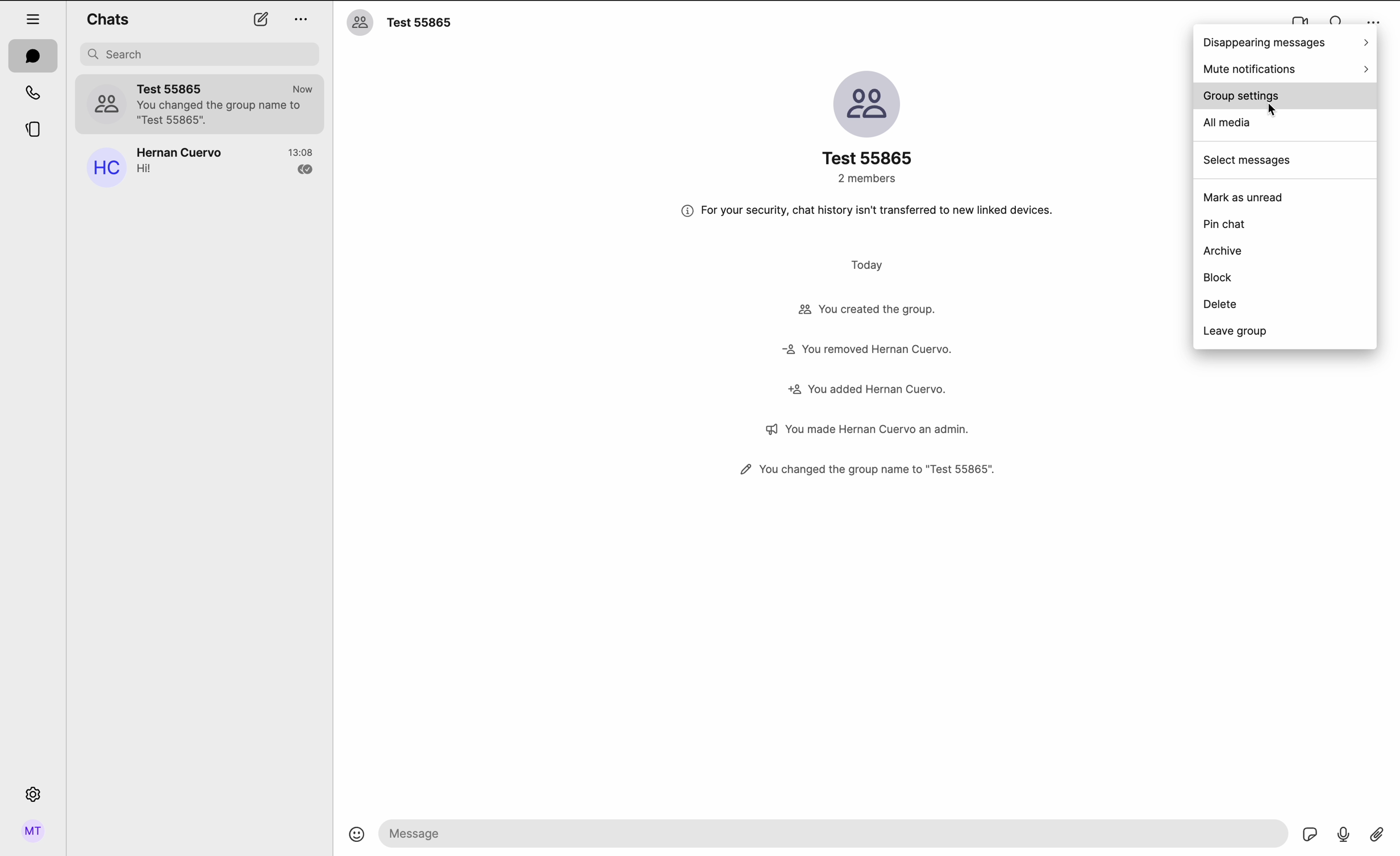 The width and height of the screenshot is (1400, 856). I want to click on settings, so click(34, 792).